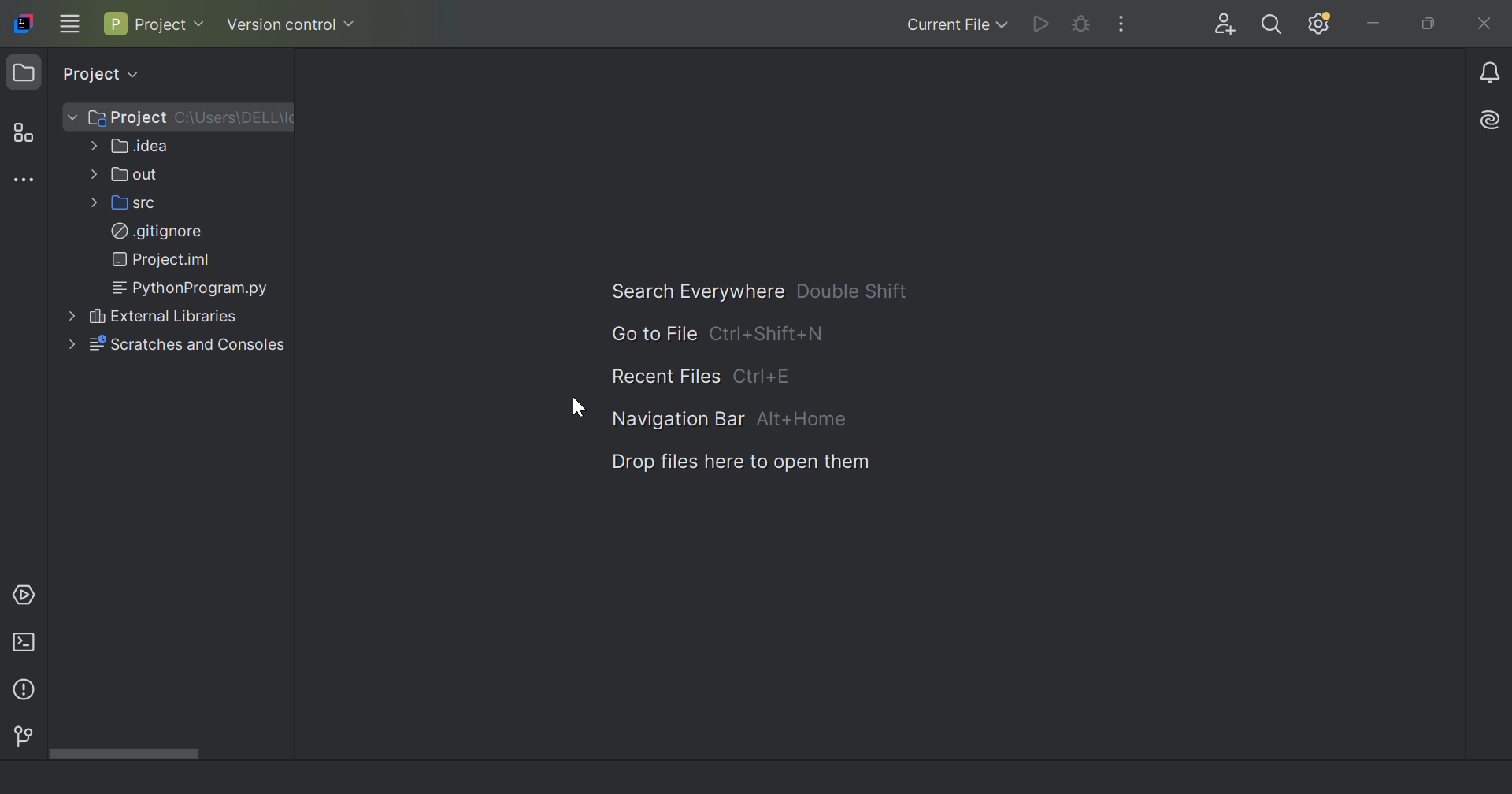 Image resolution: width=1512 pixels, height=794 pixels. What do you see at coordinates (24, 73) in the screenshot?
I see `Project` at bounding box center [24, 73].